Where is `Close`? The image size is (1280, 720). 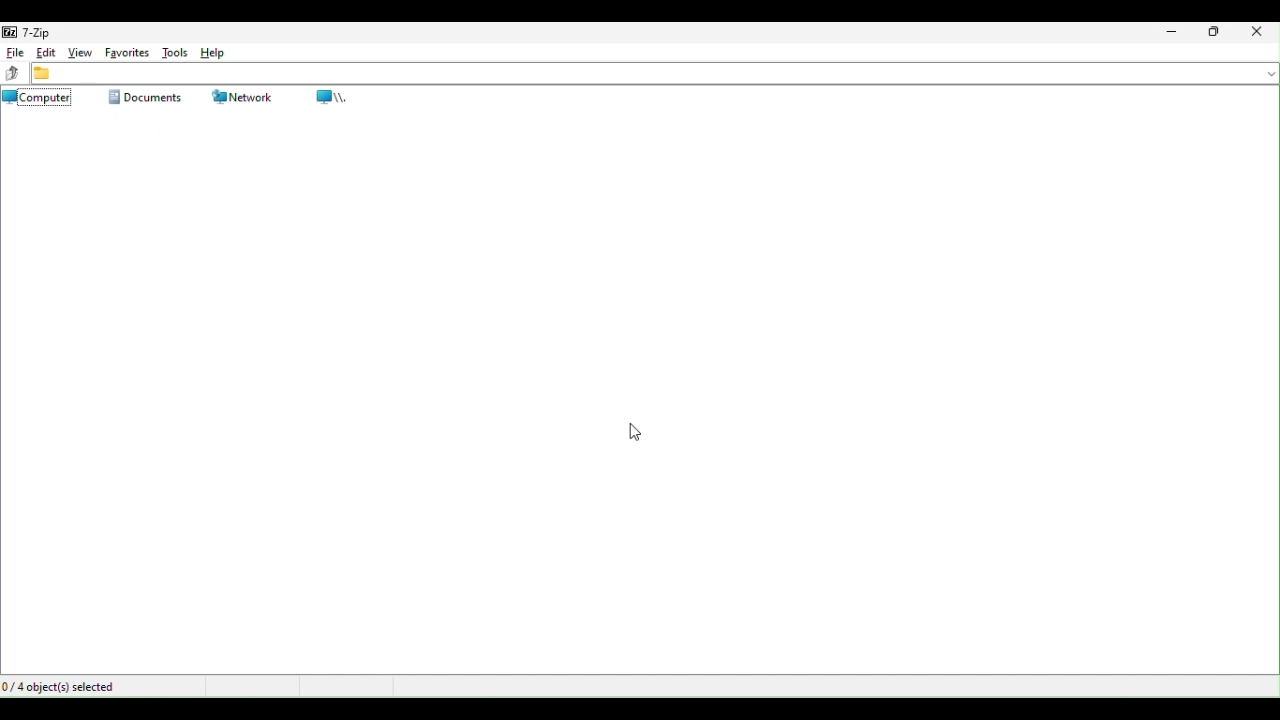 Close is located at coordinates (1260, 34).